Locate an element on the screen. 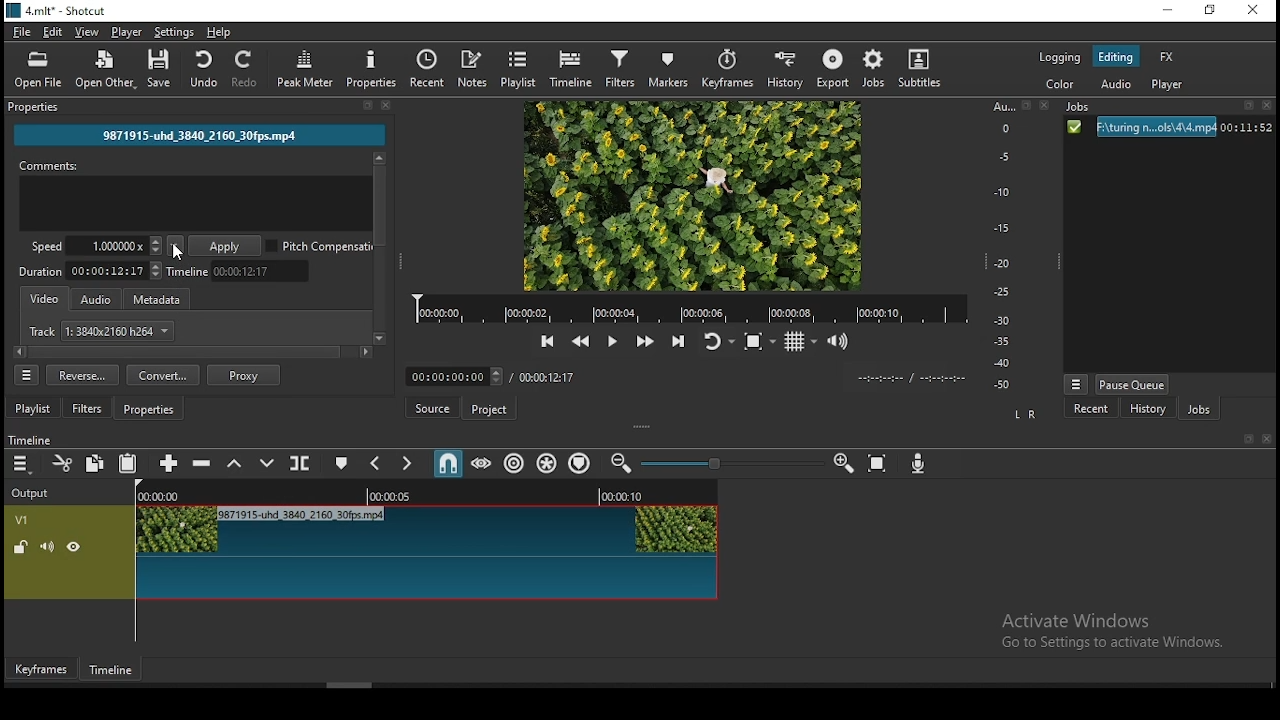 The image size is (1280, 720). properties is located at coordinates (34, 105).